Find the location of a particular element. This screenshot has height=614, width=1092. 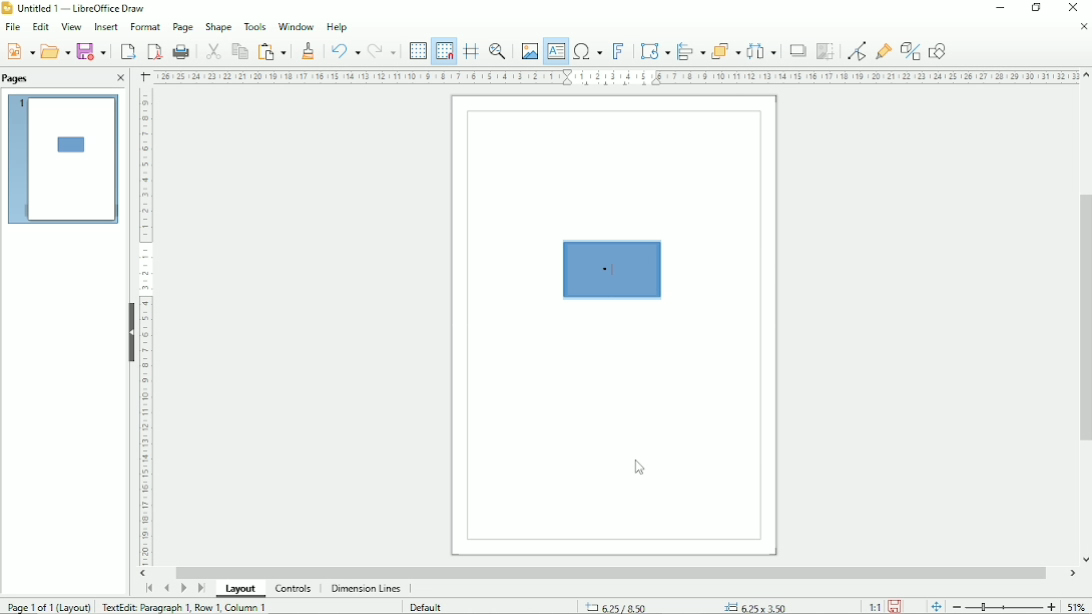

Scroll to first page is located at coordinates (149, 587).